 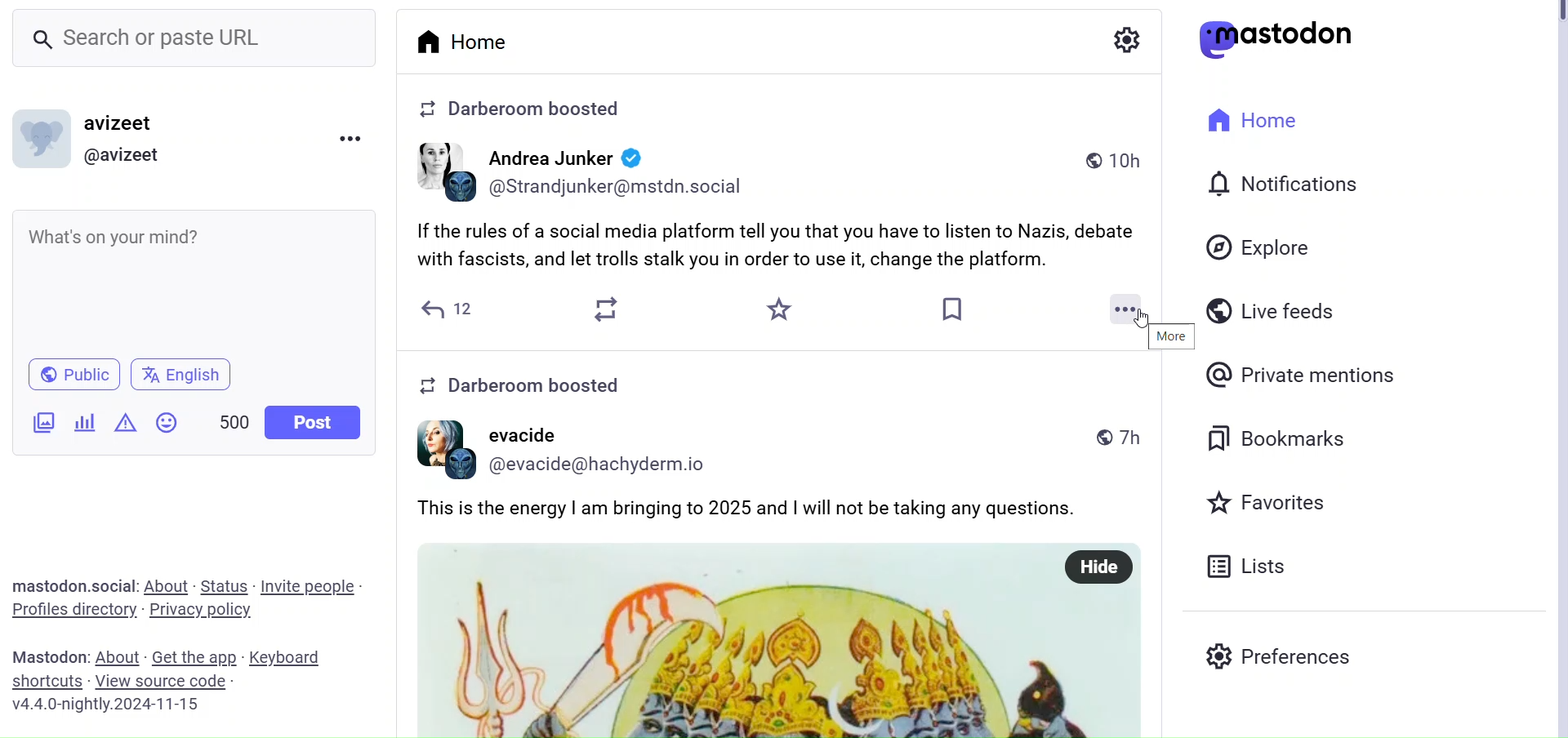 I want to click on Favorite, so click(x=781, y=307).